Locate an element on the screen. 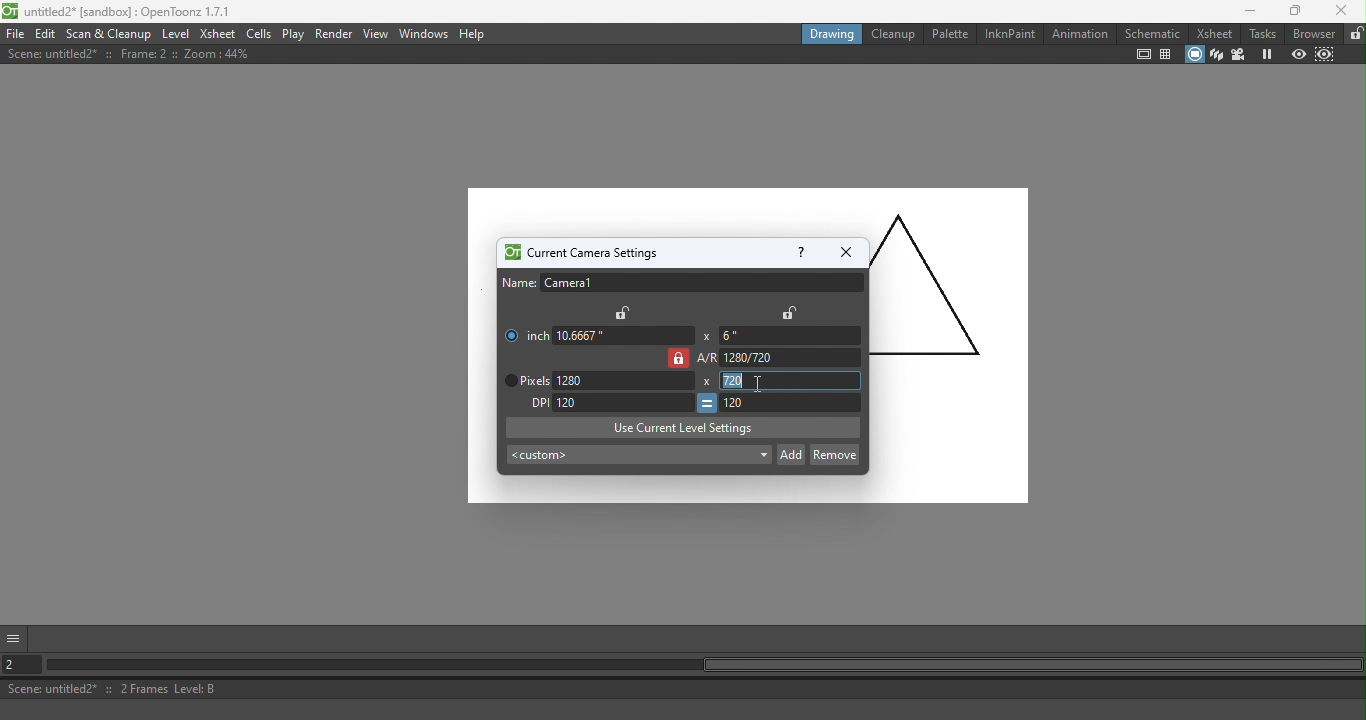  Field guide is located at coordinates (1165, 55).